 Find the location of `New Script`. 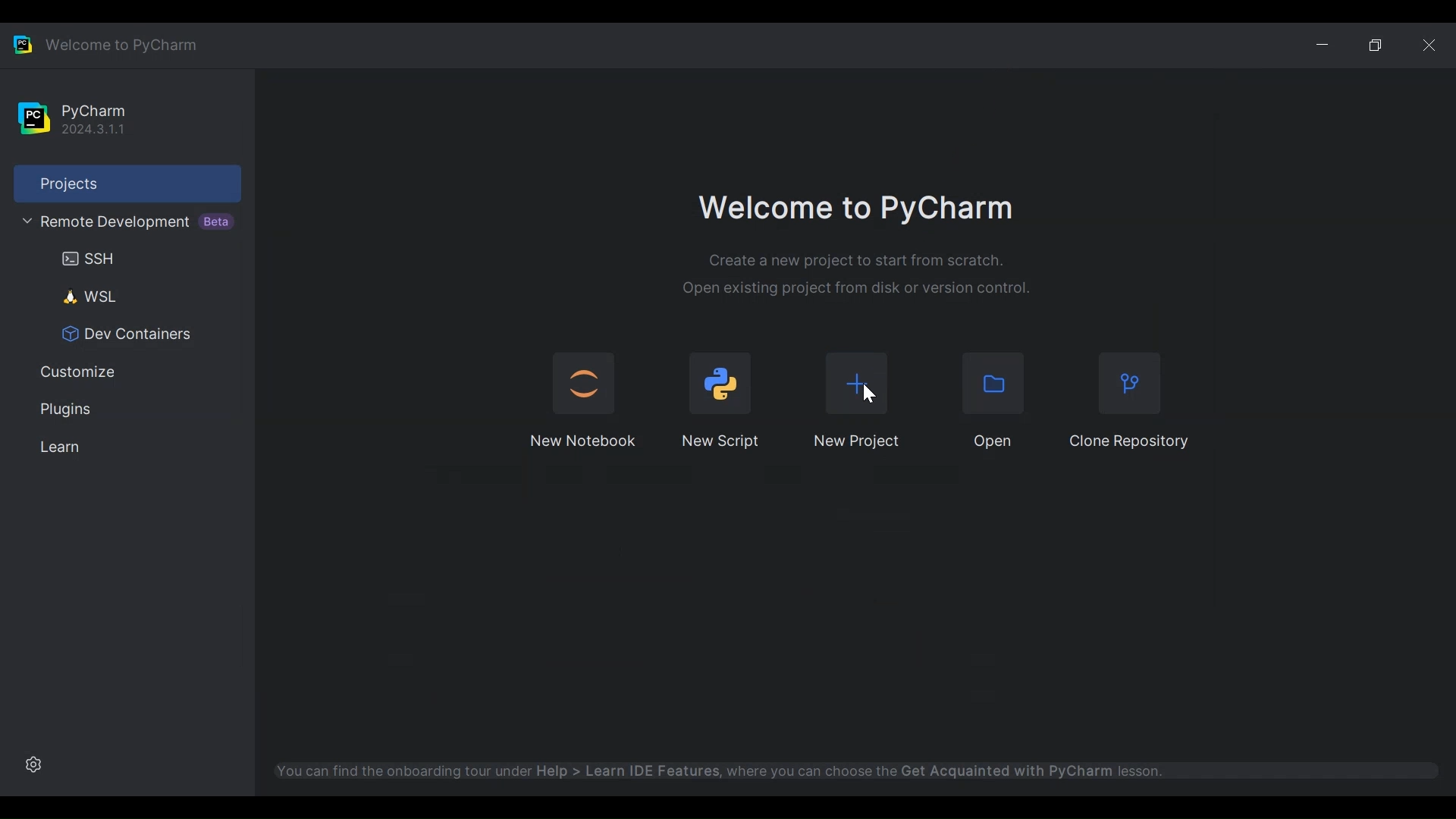

New Script is located at coordinates (721, 383).